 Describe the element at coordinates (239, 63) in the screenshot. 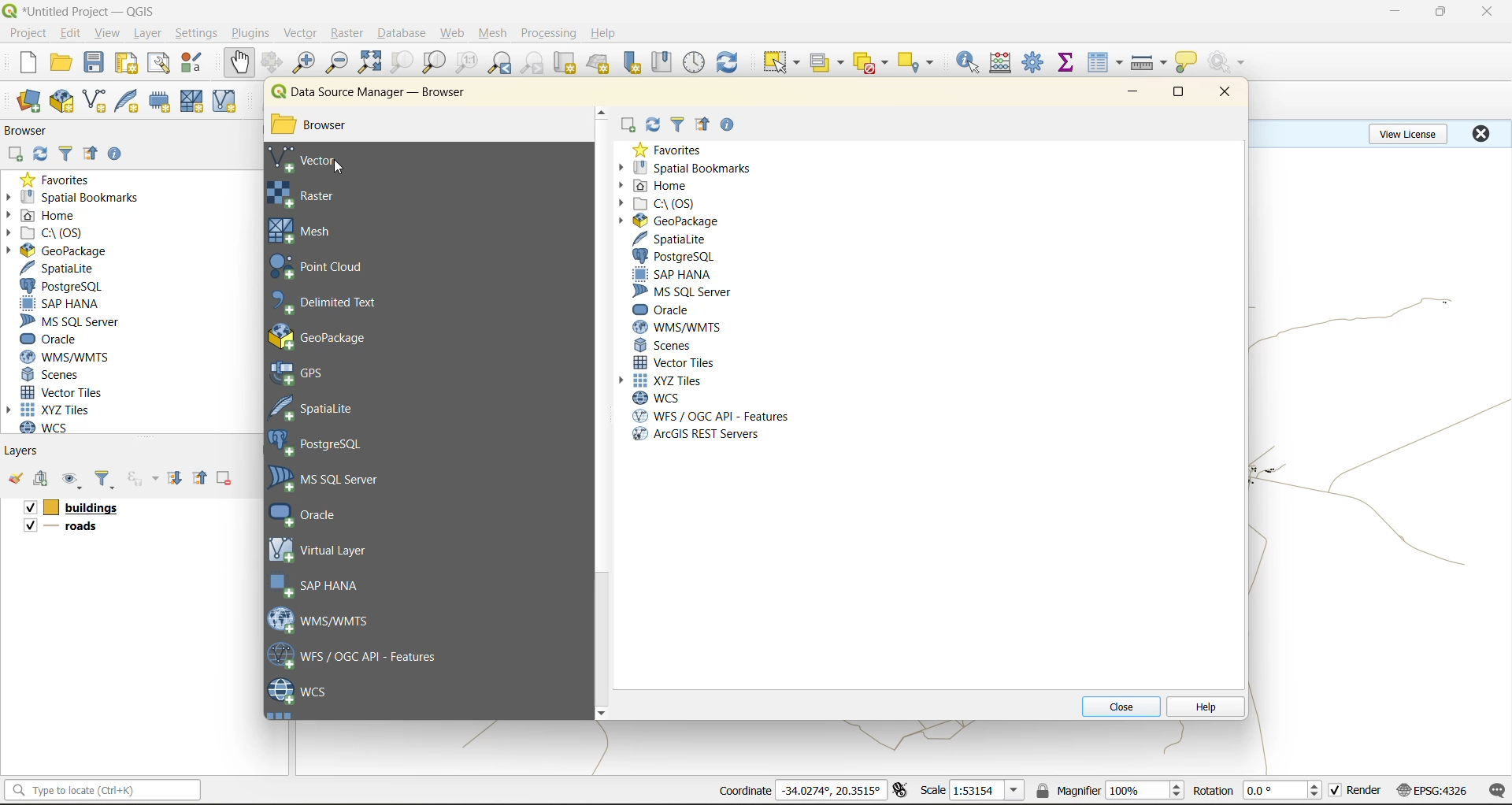

I see `pan map` at that location.